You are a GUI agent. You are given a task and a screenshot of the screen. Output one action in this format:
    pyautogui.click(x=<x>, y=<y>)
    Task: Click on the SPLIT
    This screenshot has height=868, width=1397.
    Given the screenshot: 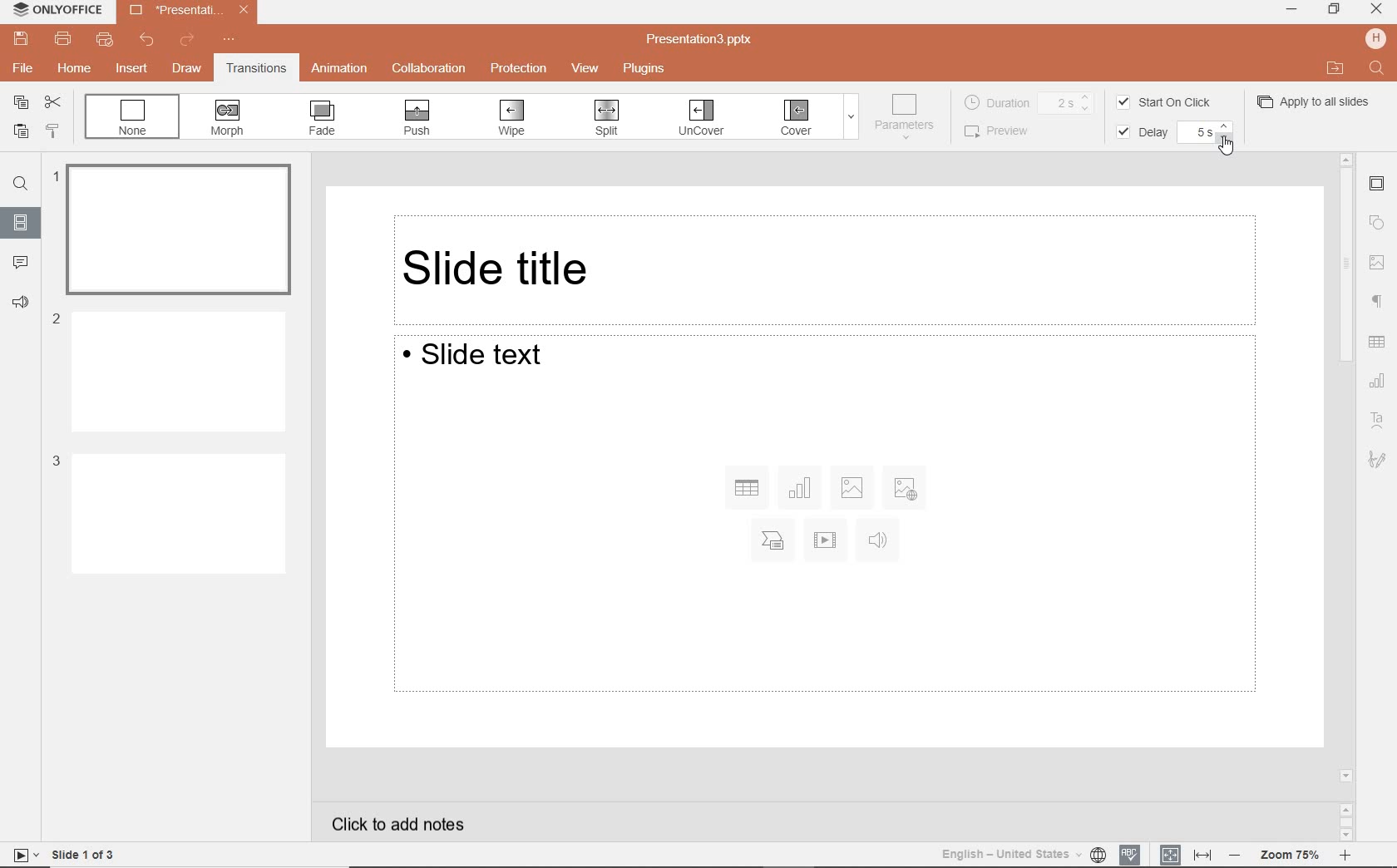 What is the action you would take?
    pyautogui.click(x=605, y=119)
    